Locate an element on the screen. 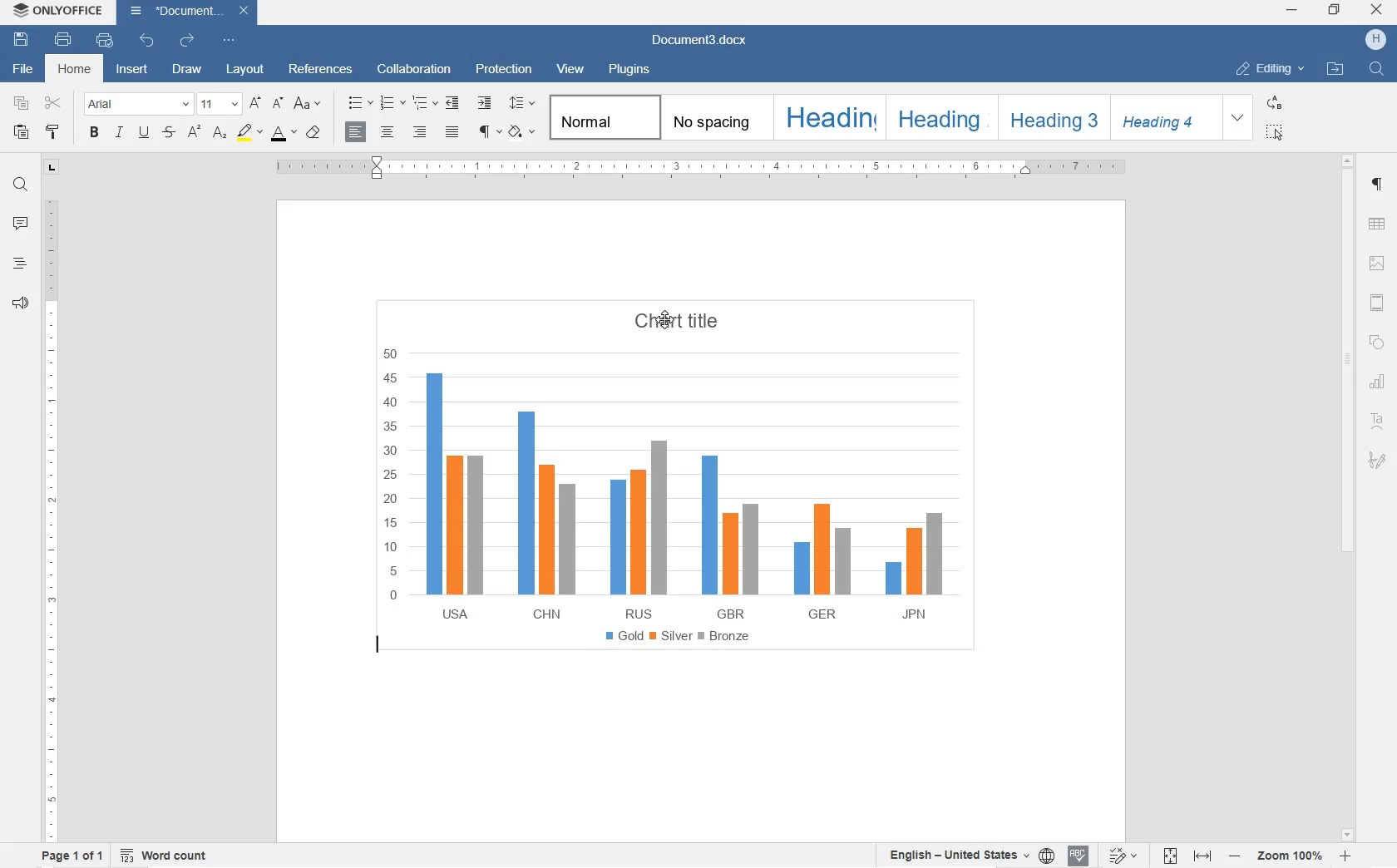  ITALIC is located at coordinates (120, 135).